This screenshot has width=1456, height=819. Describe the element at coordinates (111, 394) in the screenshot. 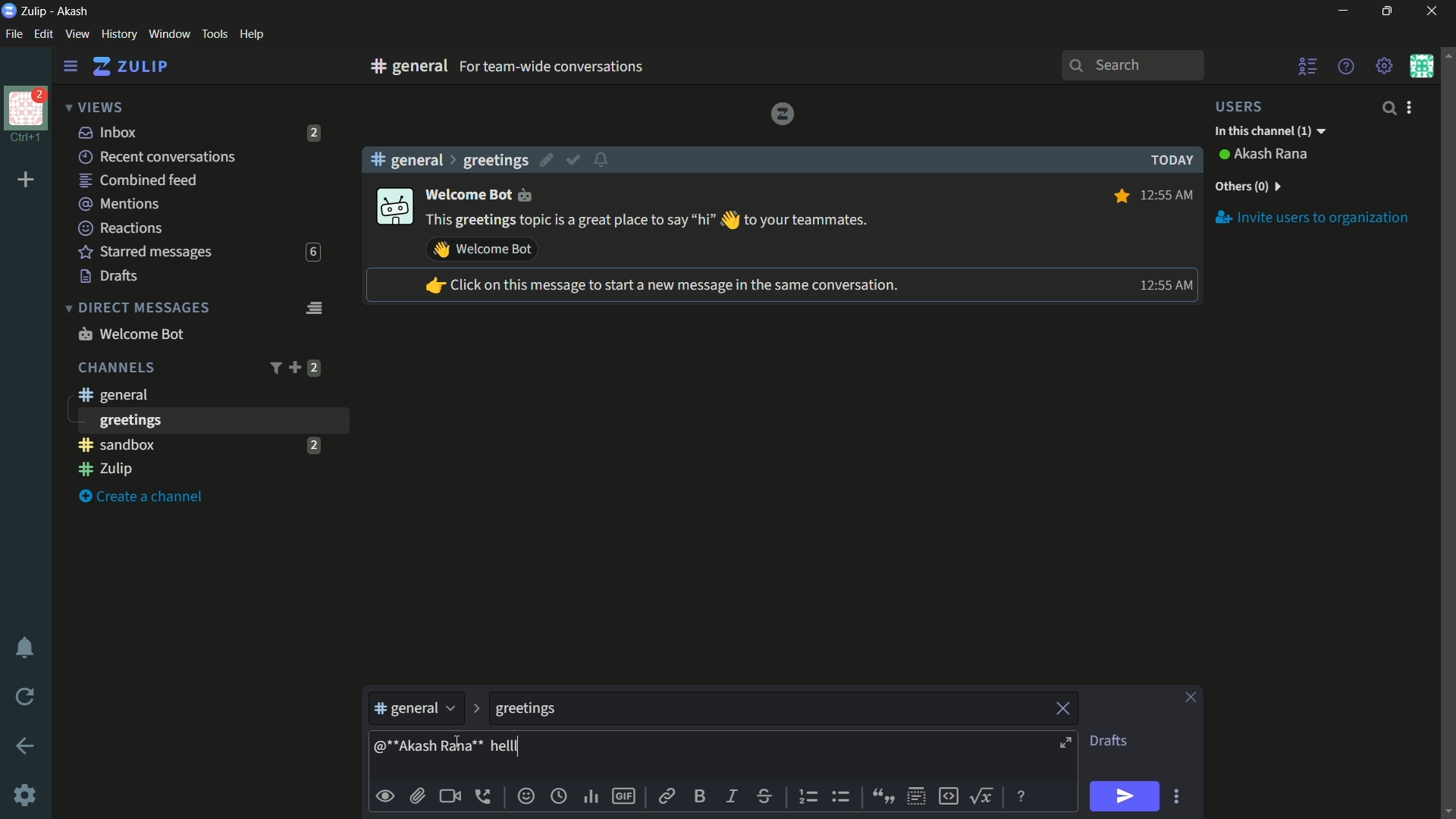

I see `general channel` at that location.